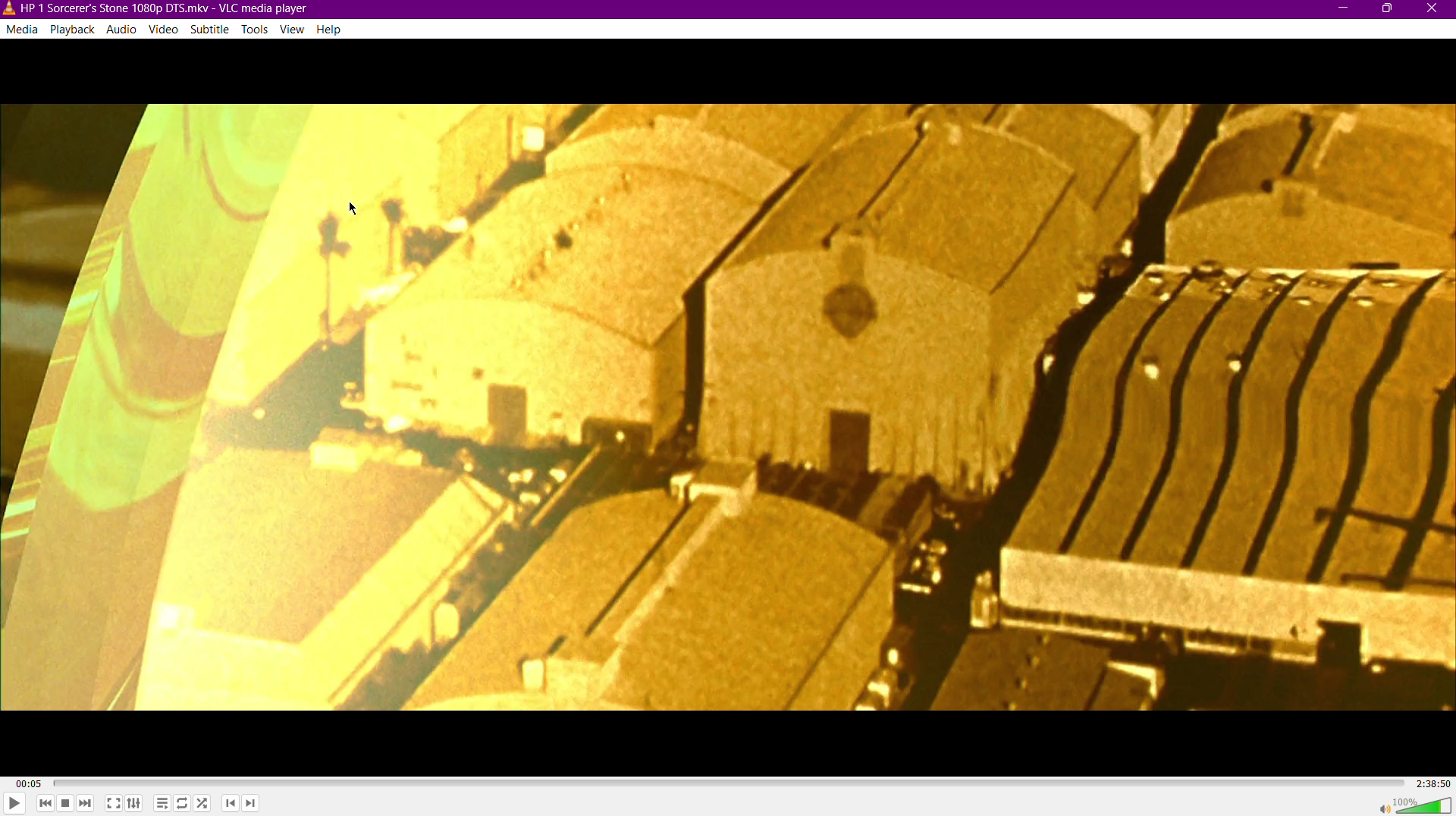 Image resolution: width=1456 pixels, height=816 pixels. I want to click on Next Chapter, so click(251, 804).